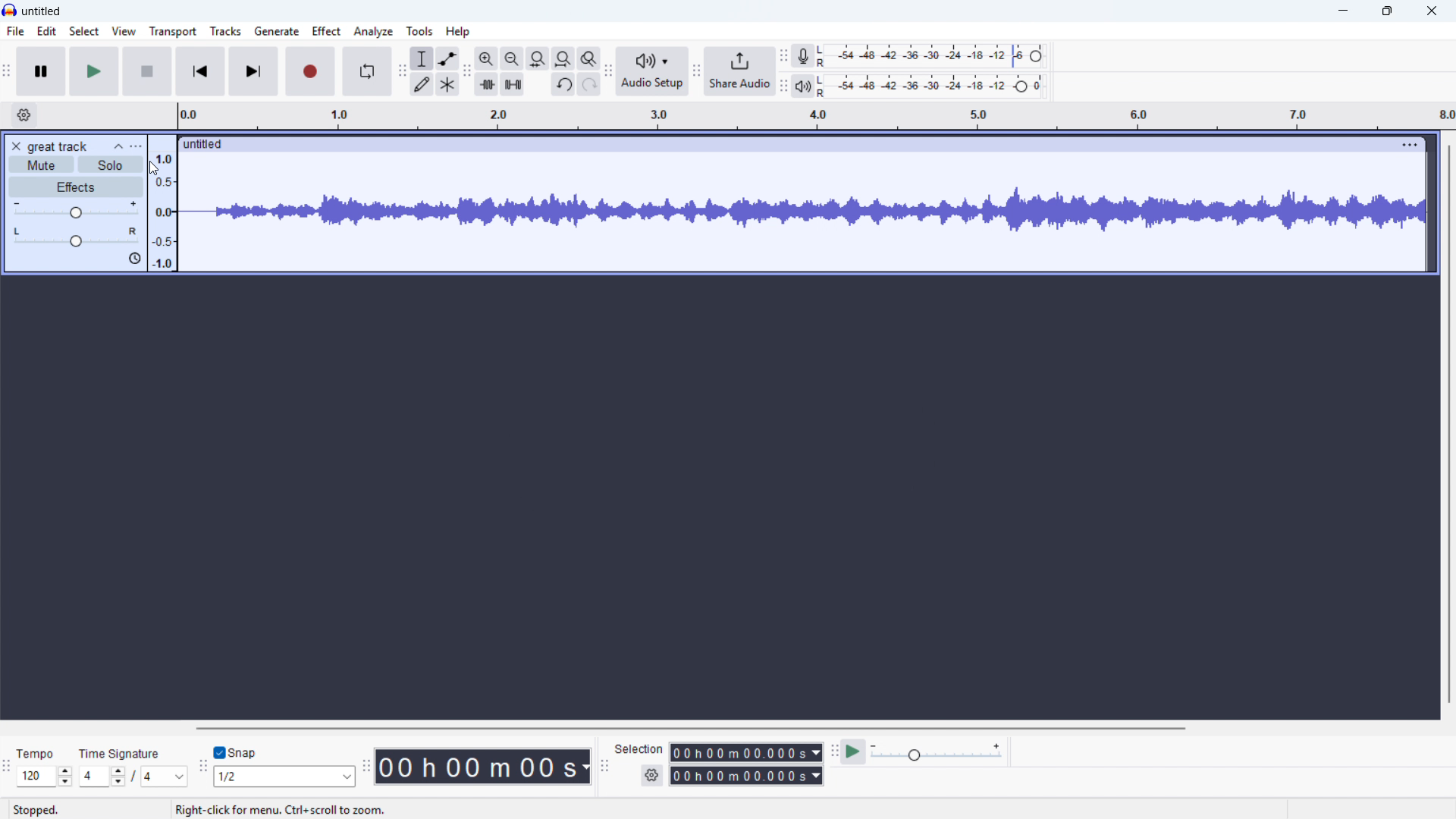  What do you see at coordinates (588, 58) in the screenshot?
I see `Toggle zoom ` at bounding box center [588, 58].